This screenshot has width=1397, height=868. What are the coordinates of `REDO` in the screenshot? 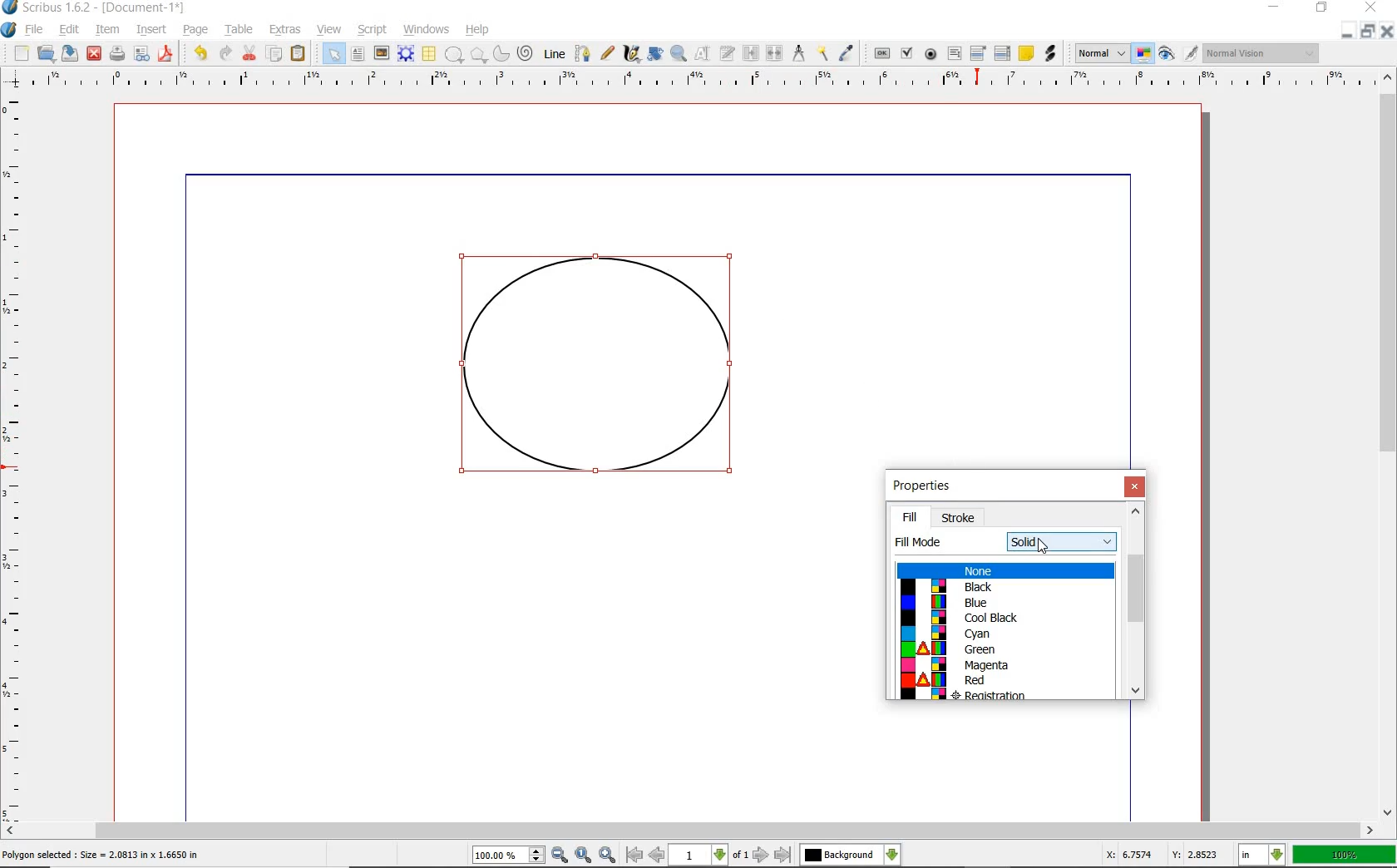 It's located at (225, 52).